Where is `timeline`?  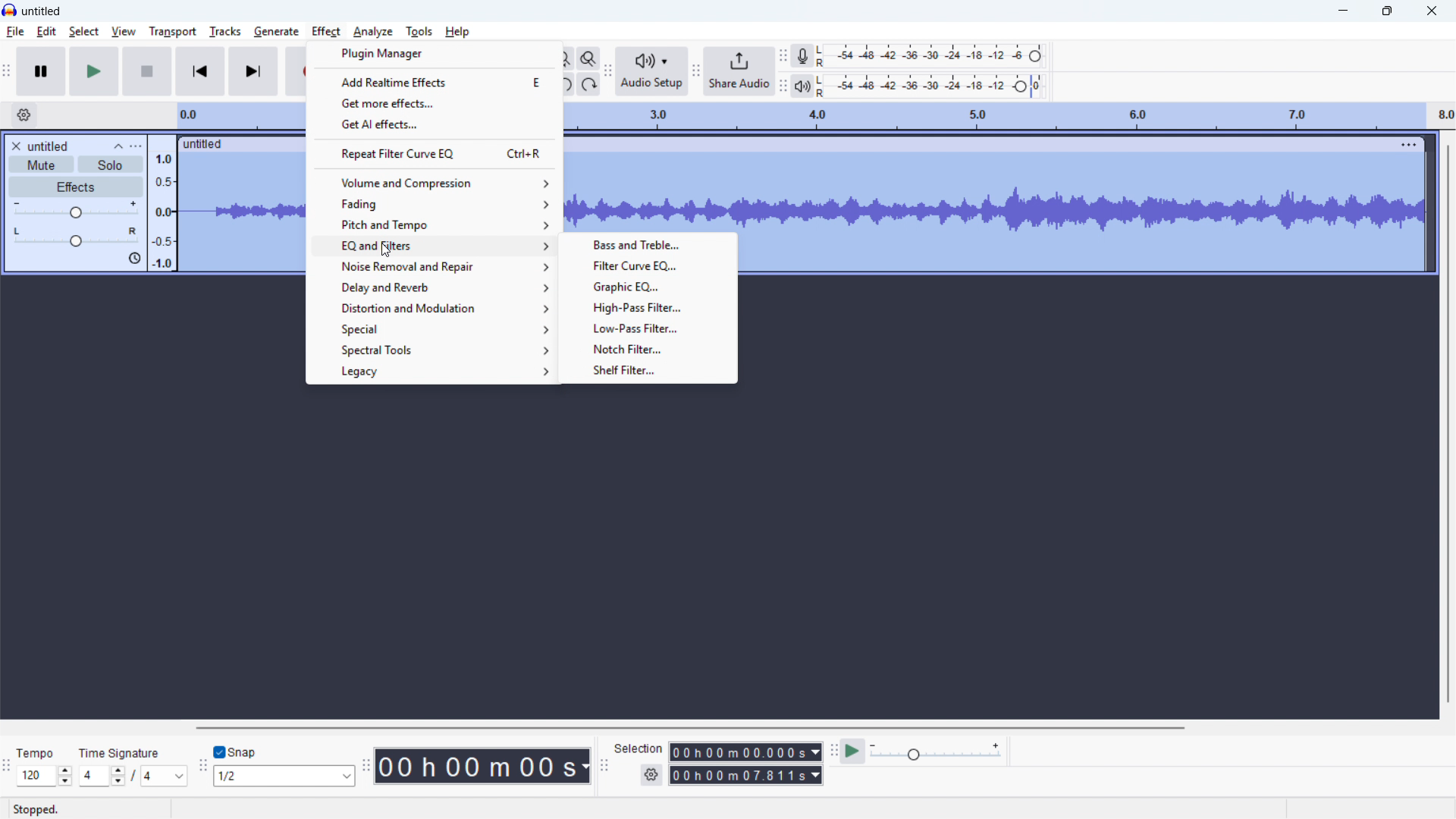 timeline is located at coordinates (1007, 116).